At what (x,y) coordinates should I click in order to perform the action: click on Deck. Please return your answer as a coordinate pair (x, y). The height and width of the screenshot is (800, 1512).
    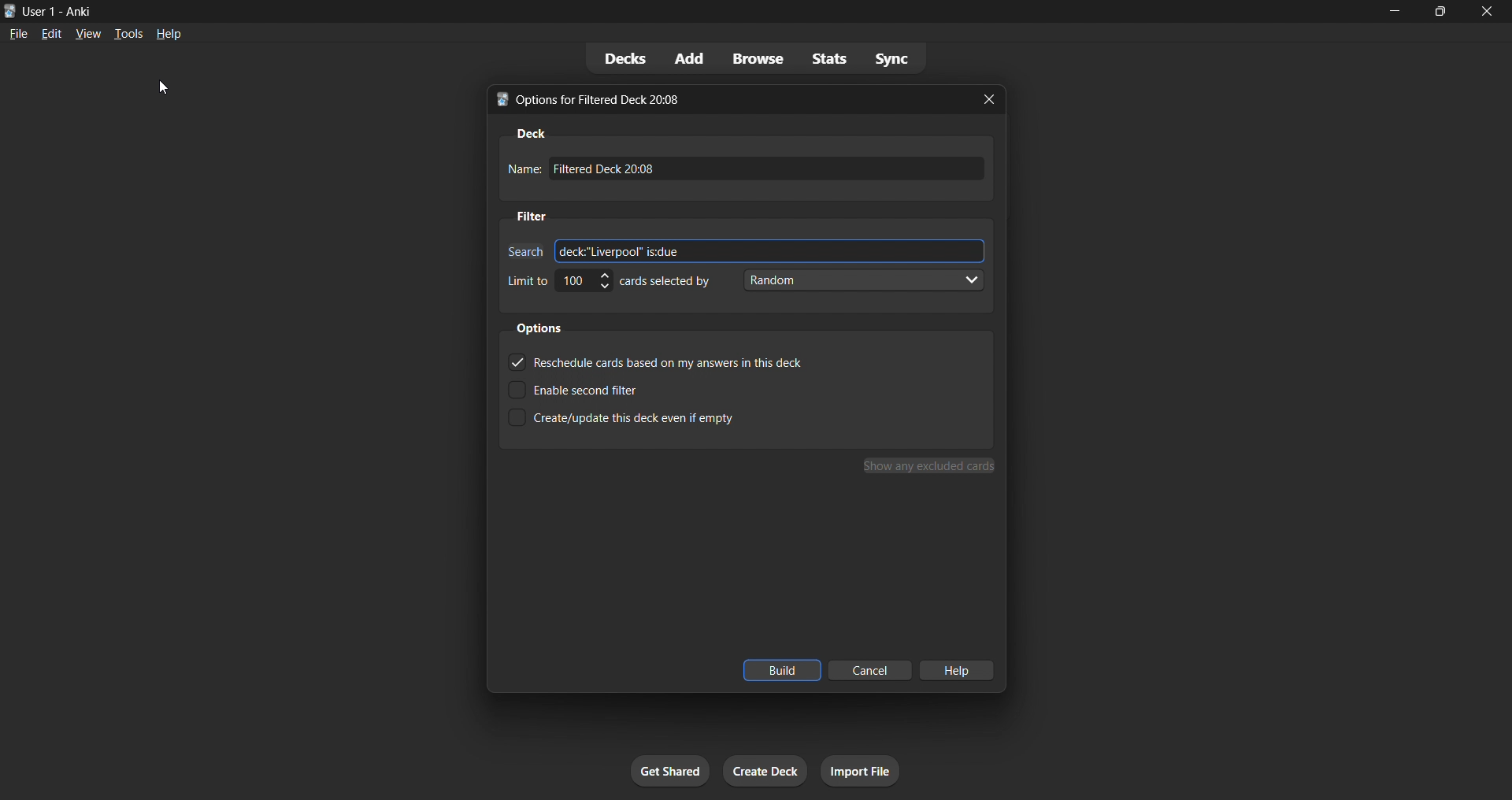
    Looking at the image, I should click on (529, 135).